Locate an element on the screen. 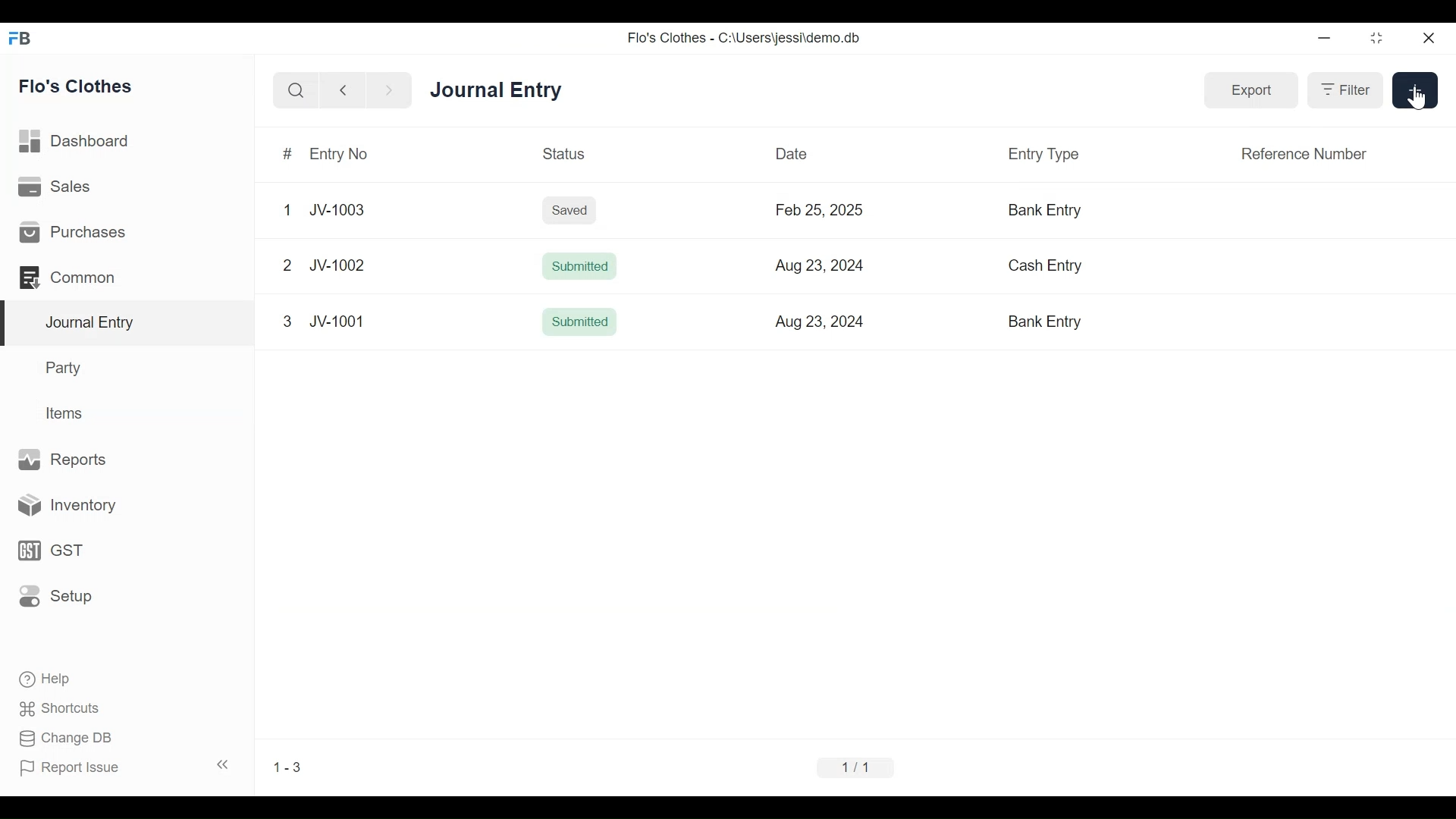  Entry No is located at coordinates (339, 154).